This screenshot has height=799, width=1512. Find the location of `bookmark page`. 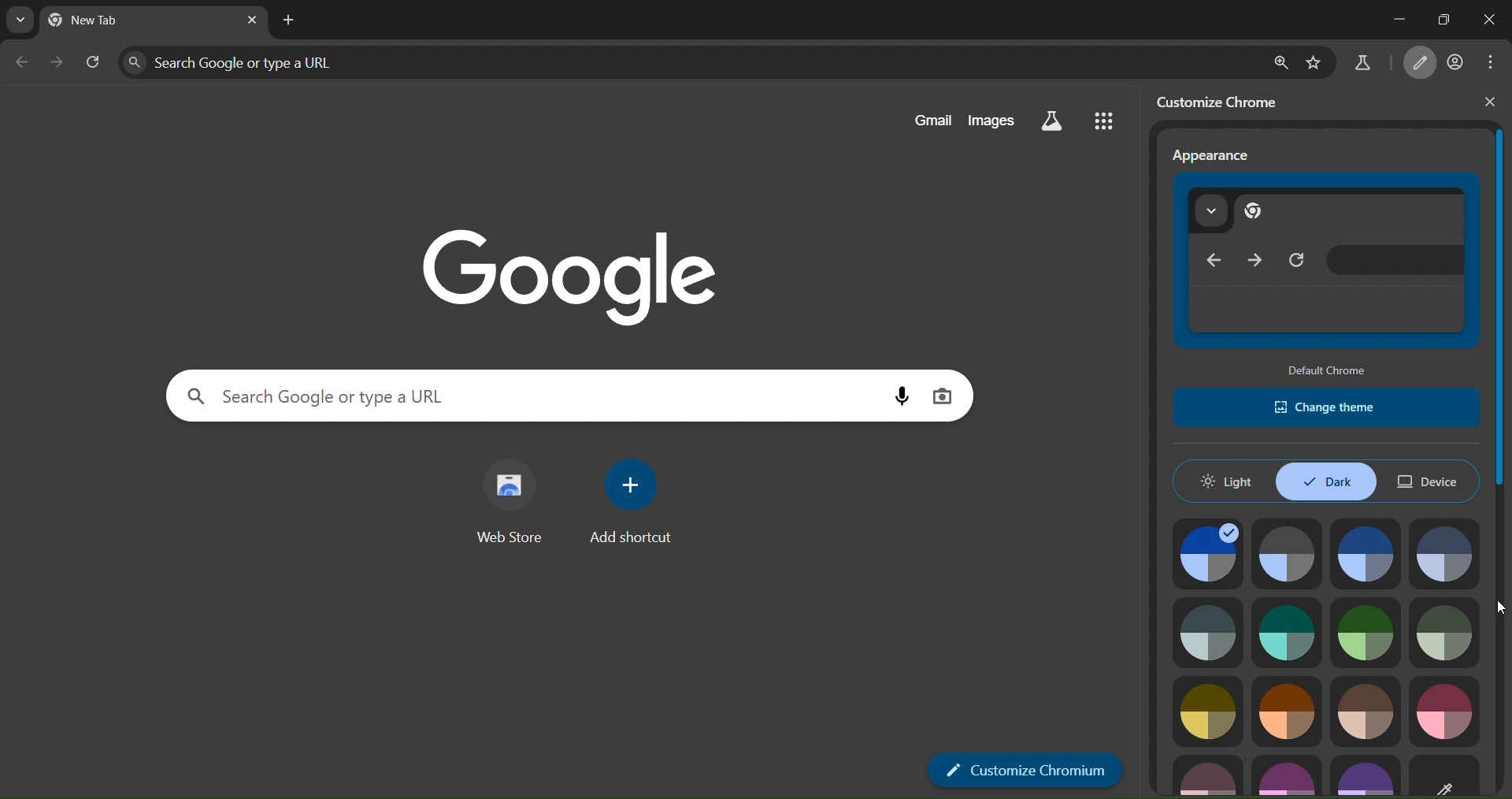

bookmark page is located at coordinates (1318, 59).